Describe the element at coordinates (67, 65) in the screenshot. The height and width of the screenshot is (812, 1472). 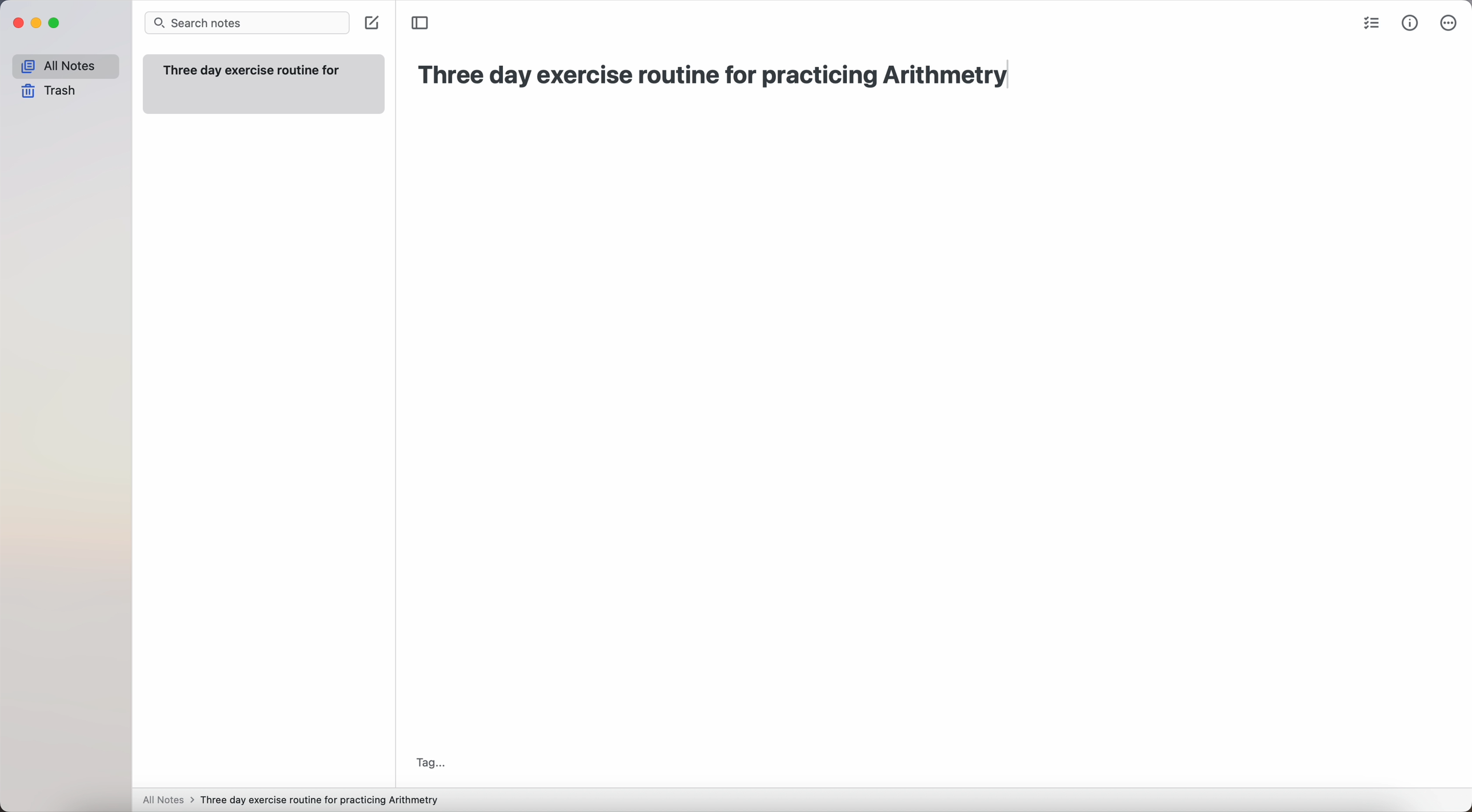
I see `all notes` at that location.